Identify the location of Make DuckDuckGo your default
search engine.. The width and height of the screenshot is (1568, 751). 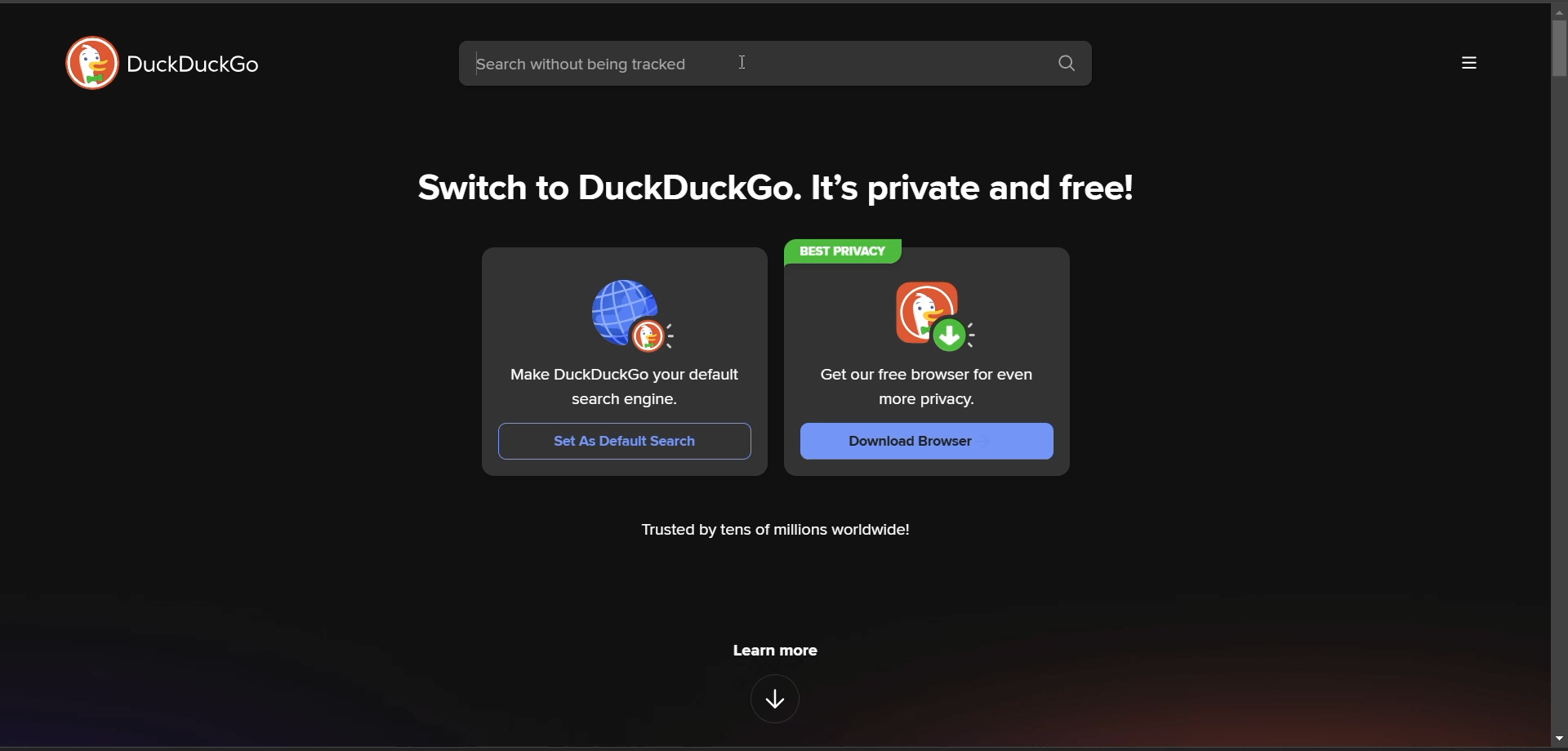
(625, 389).